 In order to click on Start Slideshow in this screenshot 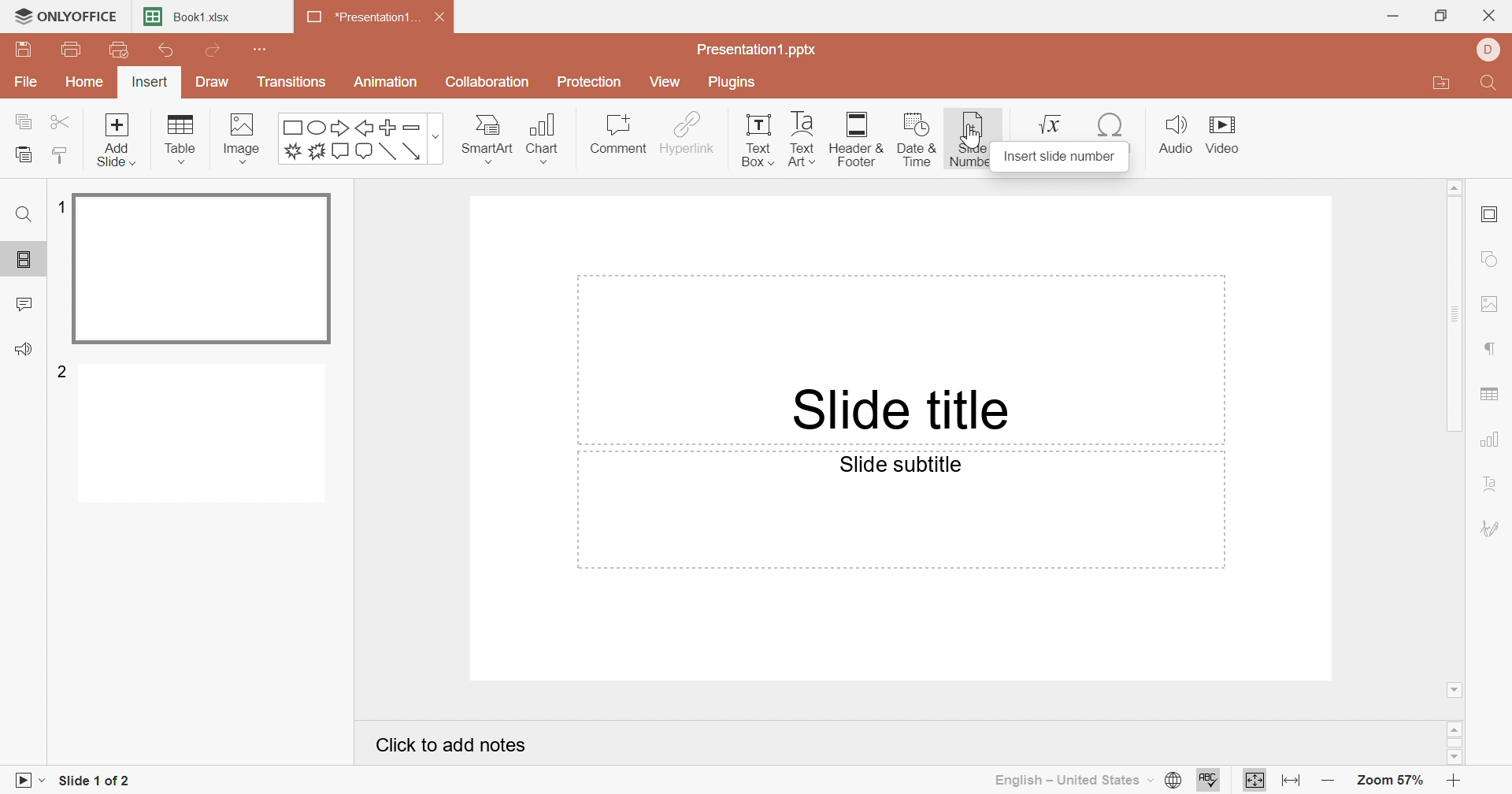, I will do `click(28, 778)`.